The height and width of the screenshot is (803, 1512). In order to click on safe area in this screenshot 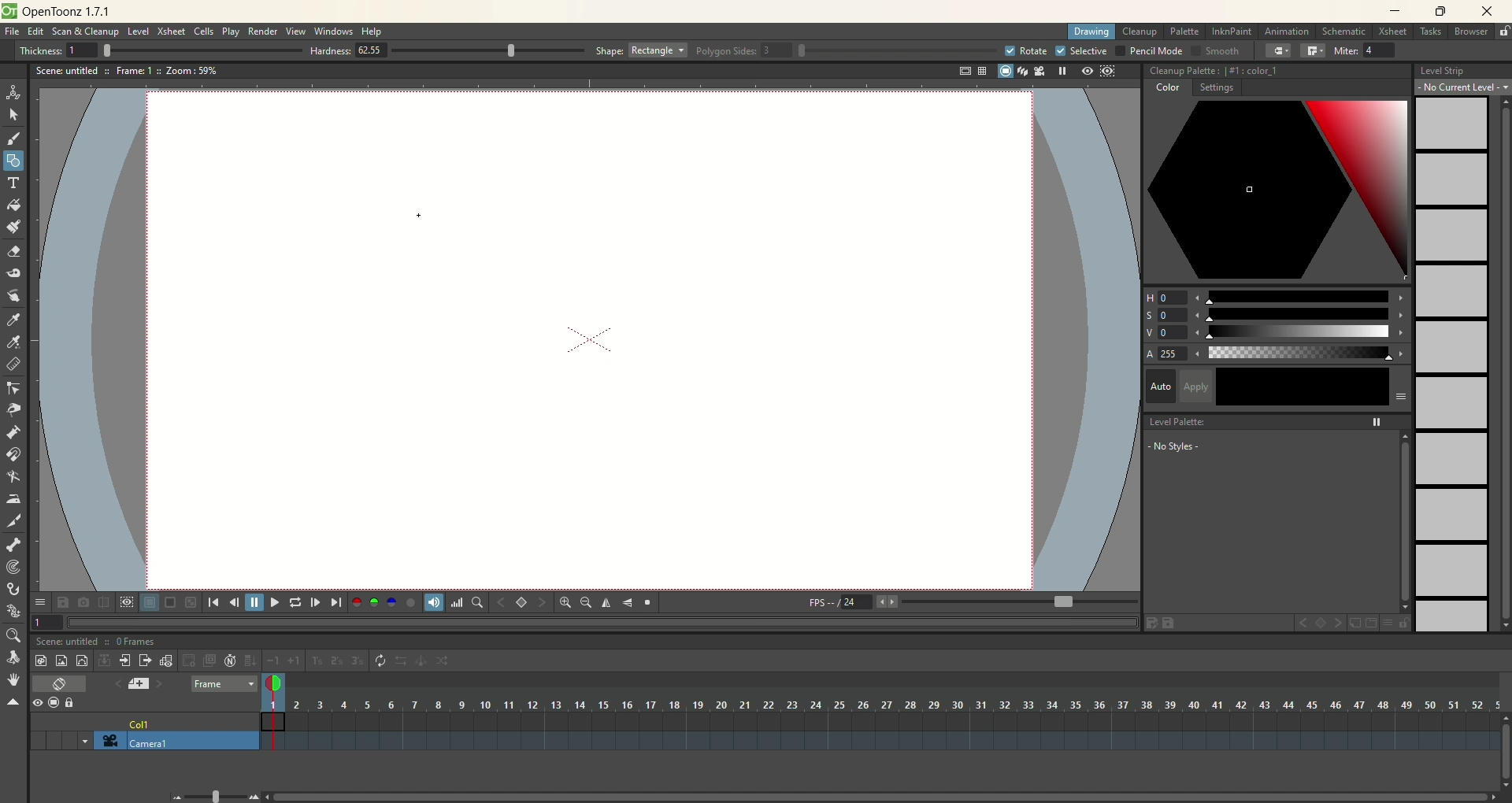, I will do `click(963, 72)`.